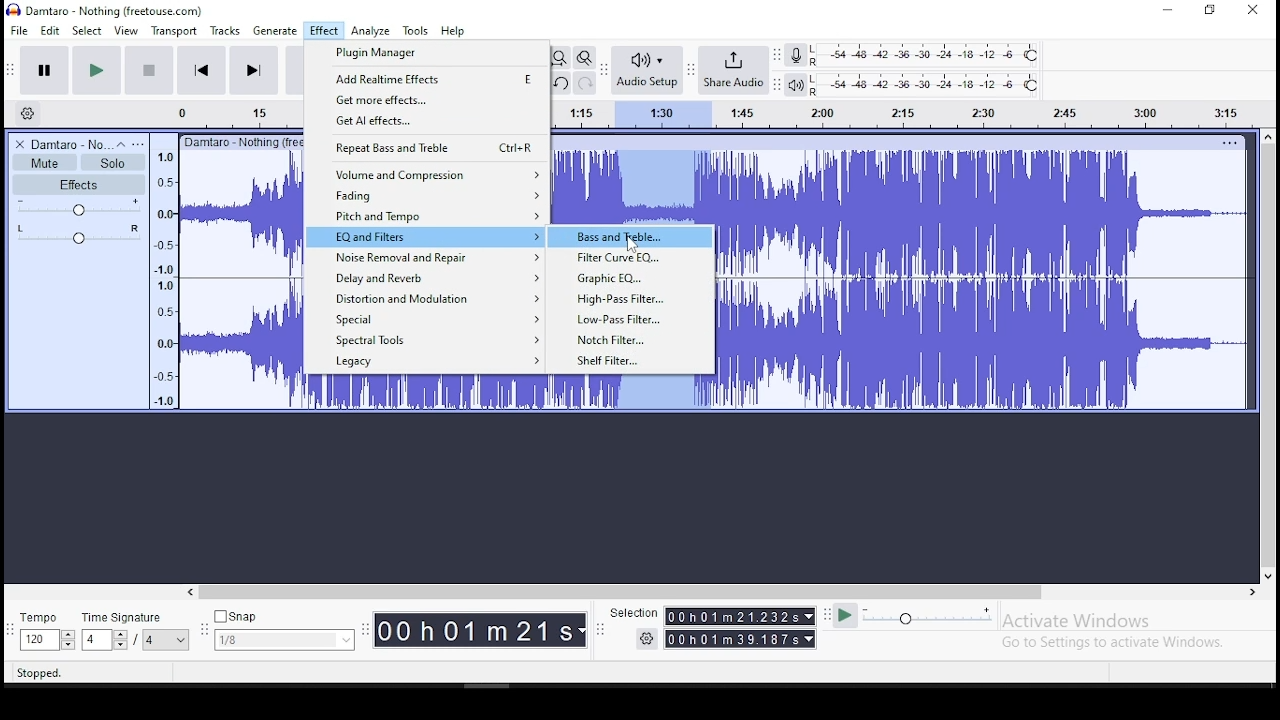 The image size is (1280, 720). I want to click on share audio, so click(735, 72).